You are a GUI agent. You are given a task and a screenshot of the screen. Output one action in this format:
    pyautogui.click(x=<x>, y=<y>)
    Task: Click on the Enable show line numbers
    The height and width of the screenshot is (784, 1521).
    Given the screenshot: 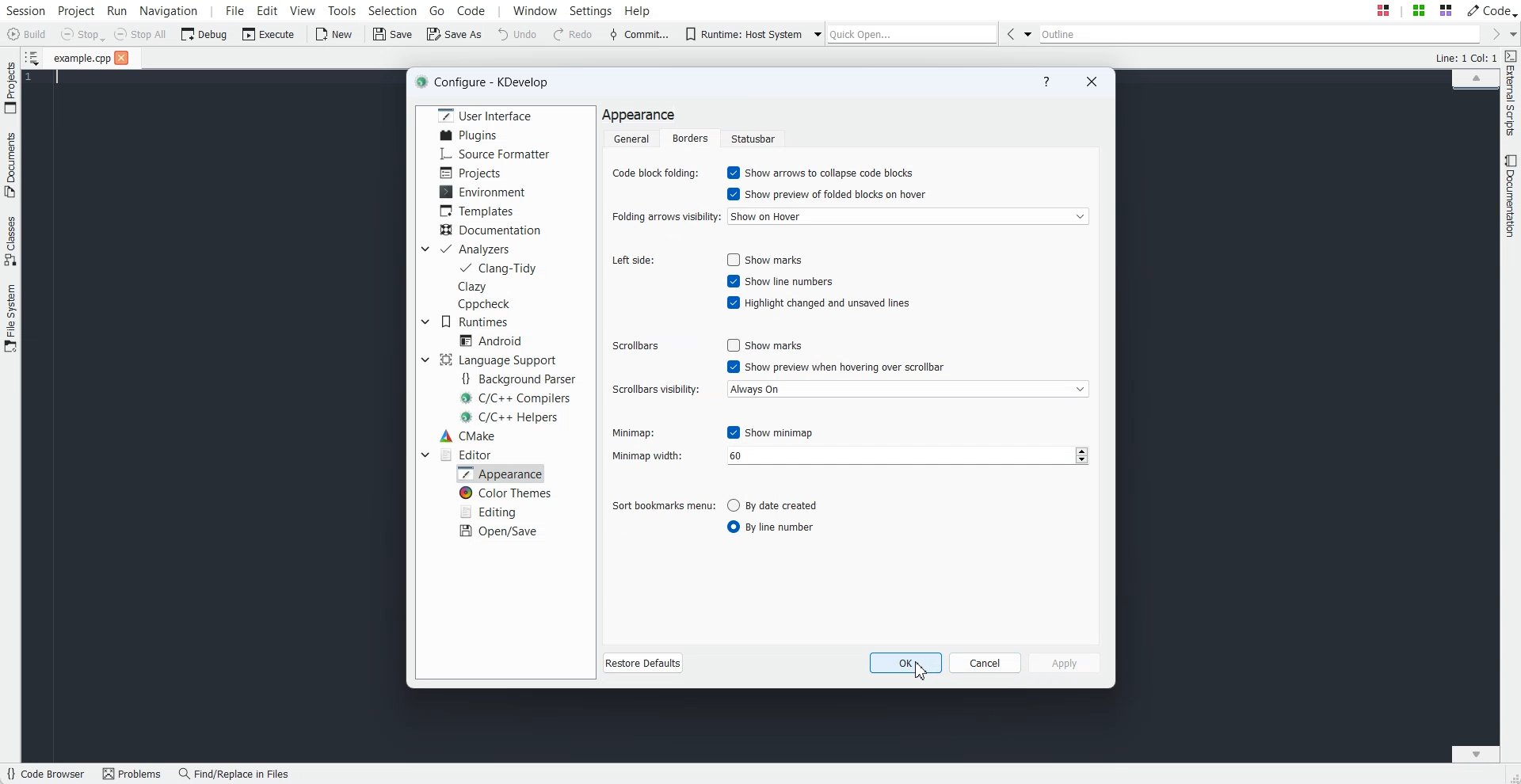 What is the action you would take?
    pyautogui.click(x=780, y=280)
    